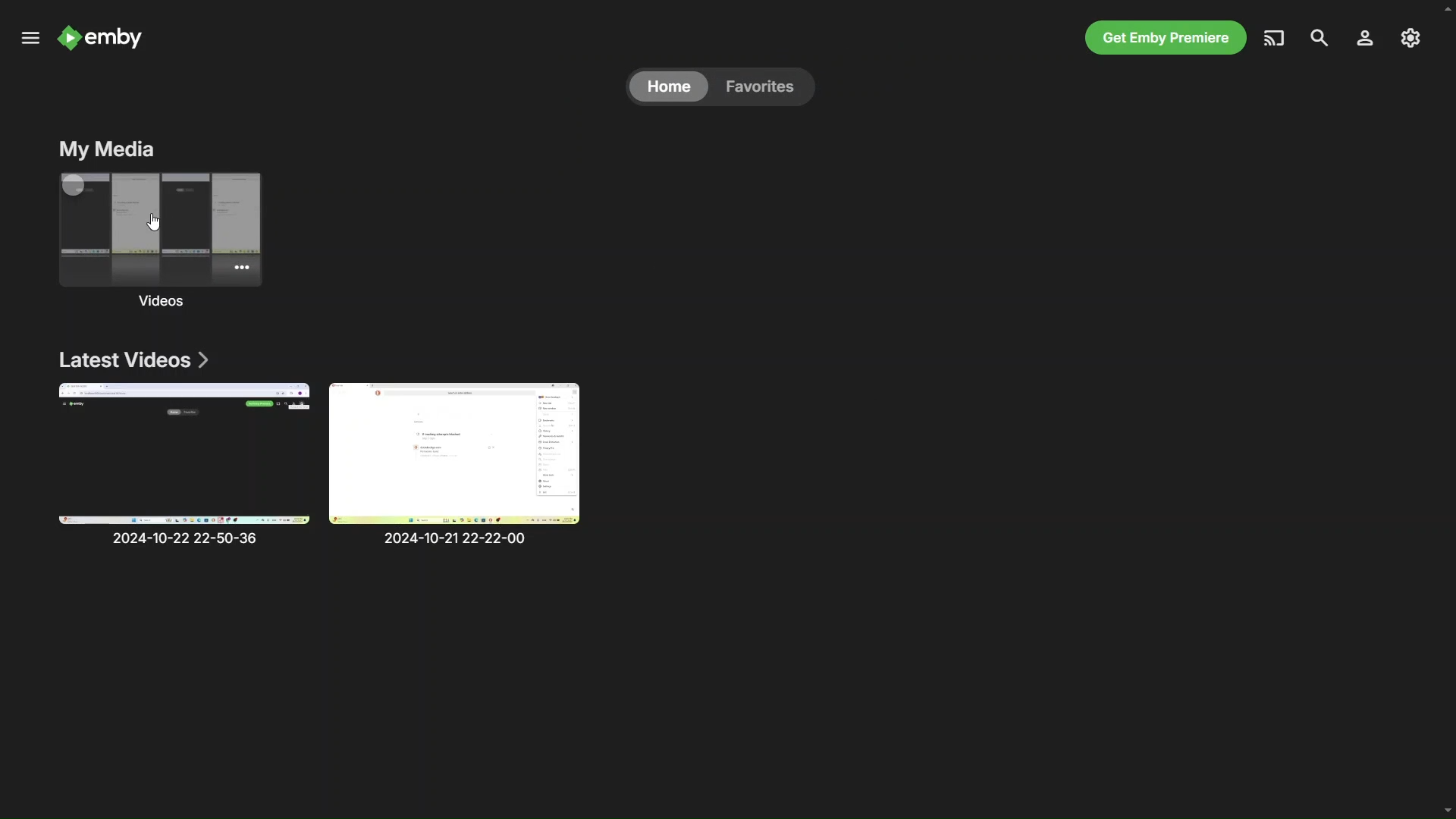 This screenshot has height=819, width=1456. Describe the element at coordinates (1167, 39) in the screenshot. I see `get emby premiere` at that location.